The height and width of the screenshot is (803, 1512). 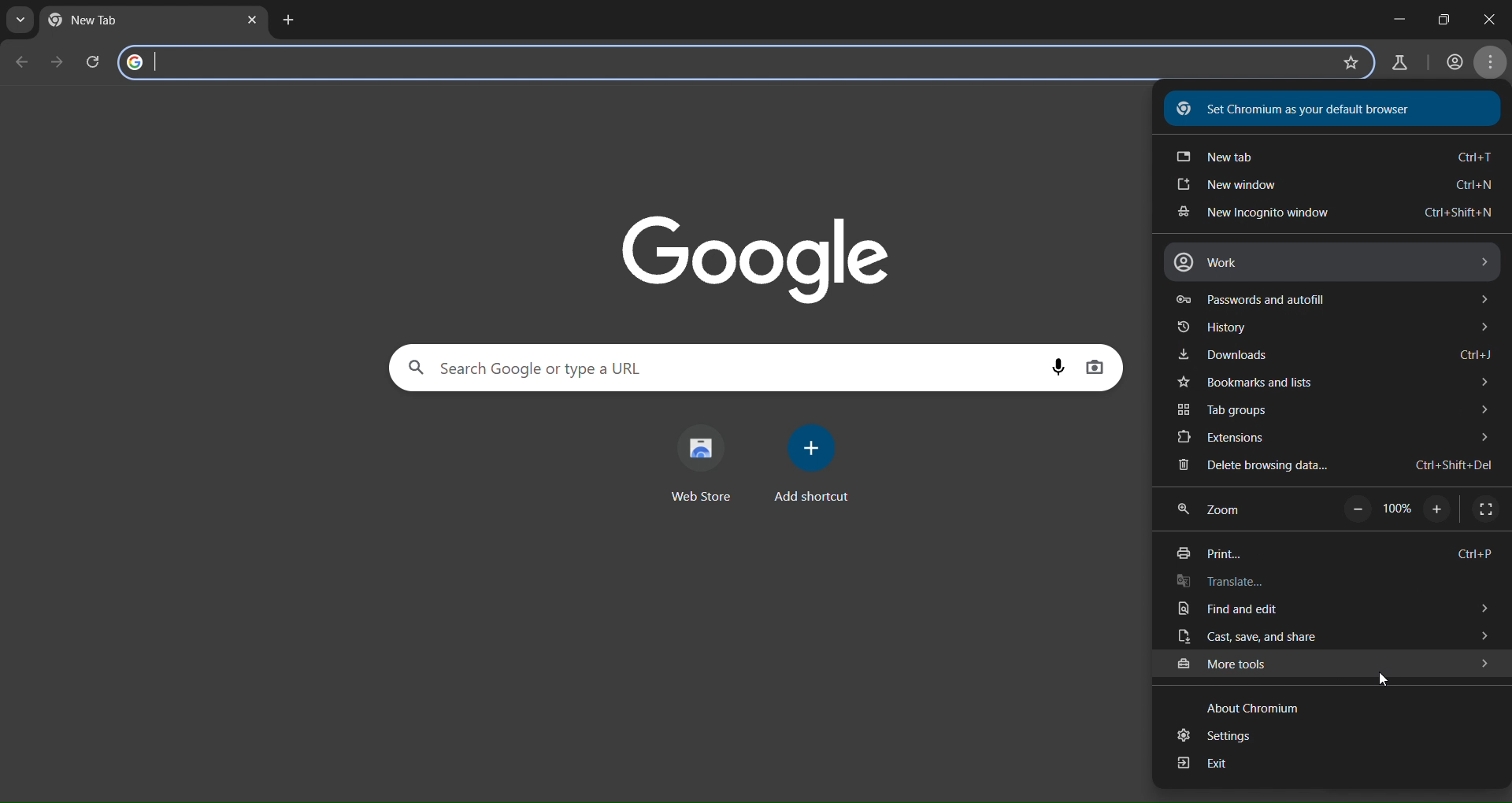 What do you see at coordinates (95, 61) in the screenshot?
I see `reload page` at bounding box center [95, 61].